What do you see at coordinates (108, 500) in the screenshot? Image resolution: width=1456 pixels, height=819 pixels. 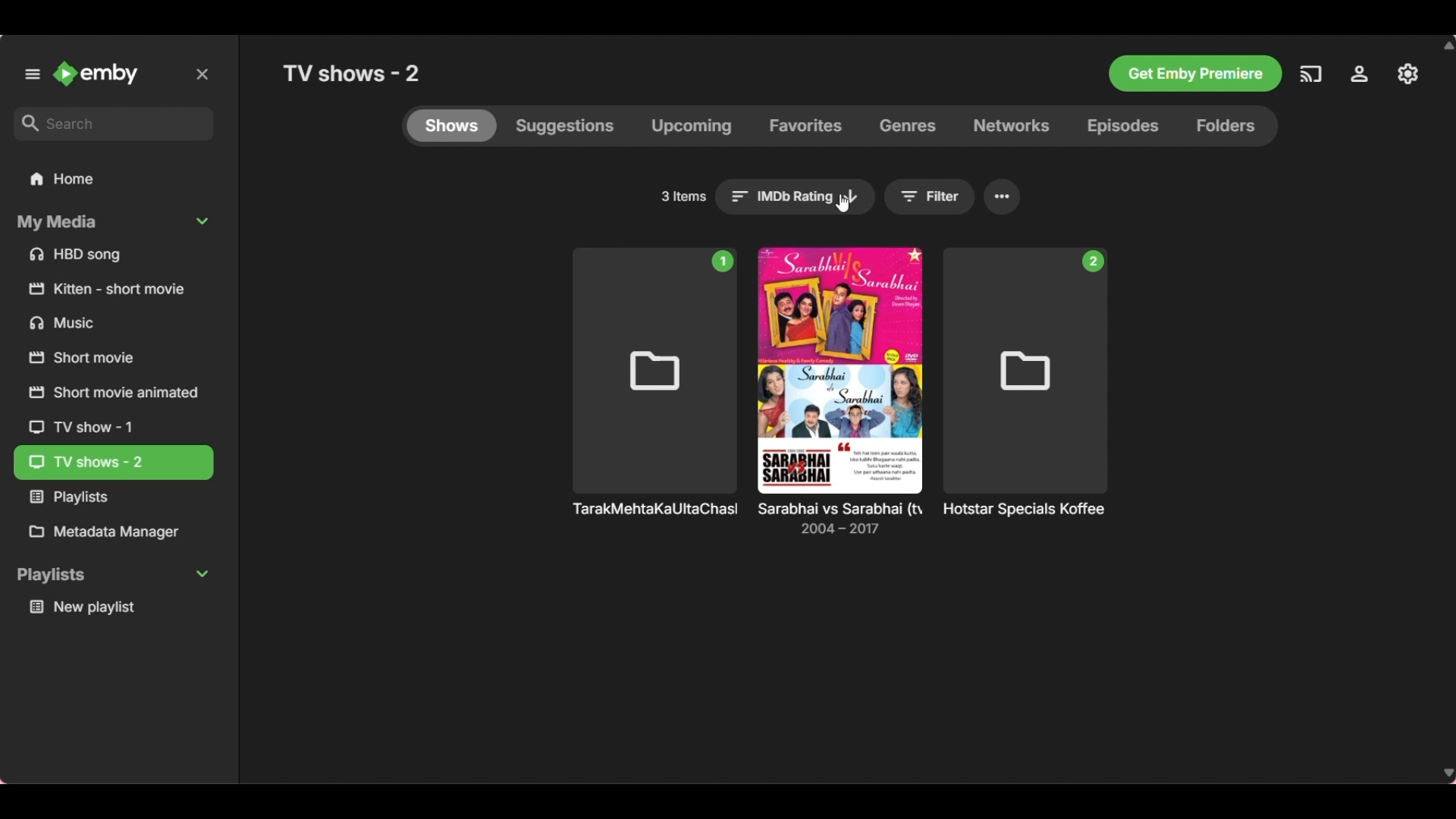 I see `` at bounding box center [108, 500].